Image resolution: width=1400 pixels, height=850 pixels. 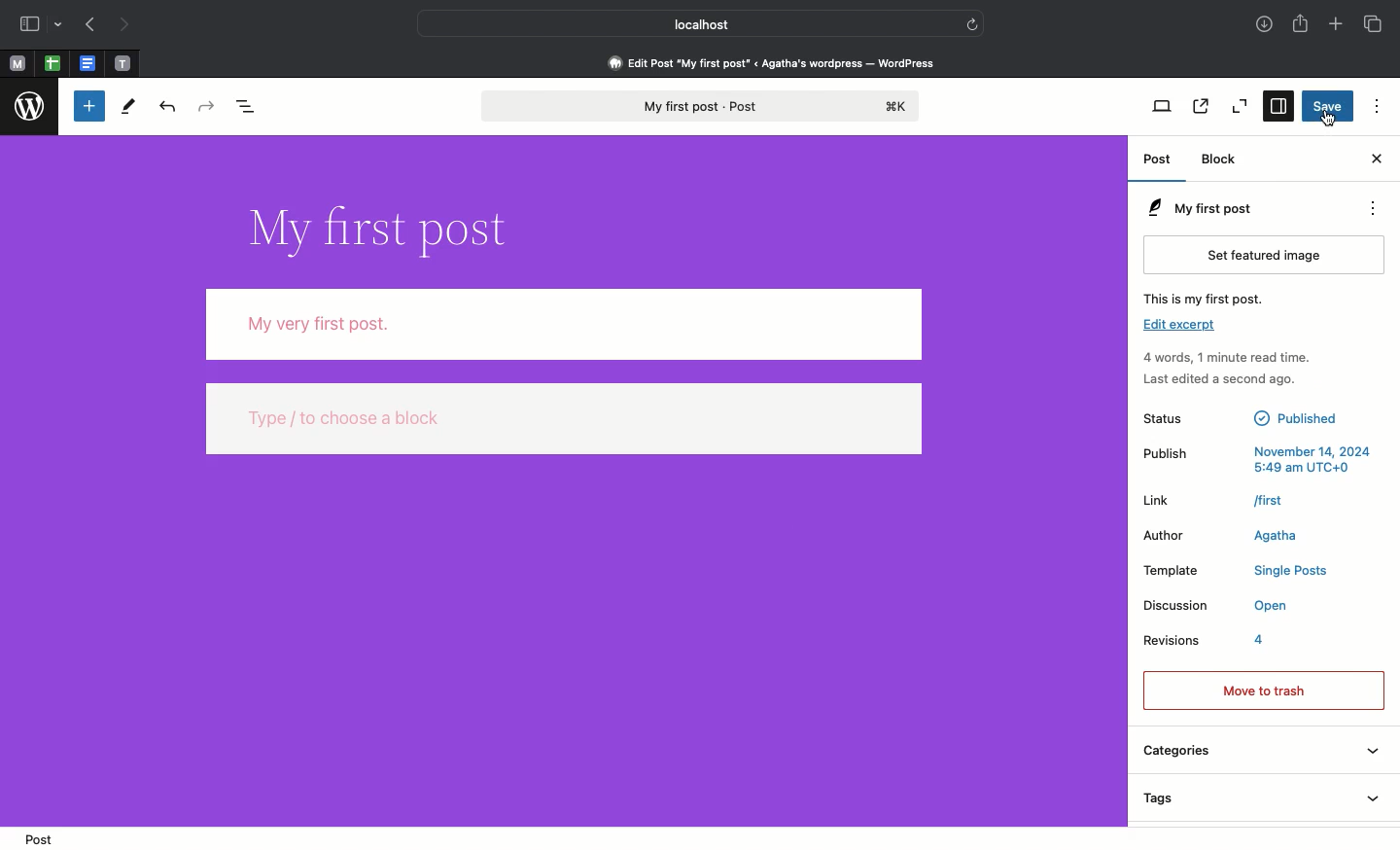 I want to click on Discussion, so click(x=1217, y=605).